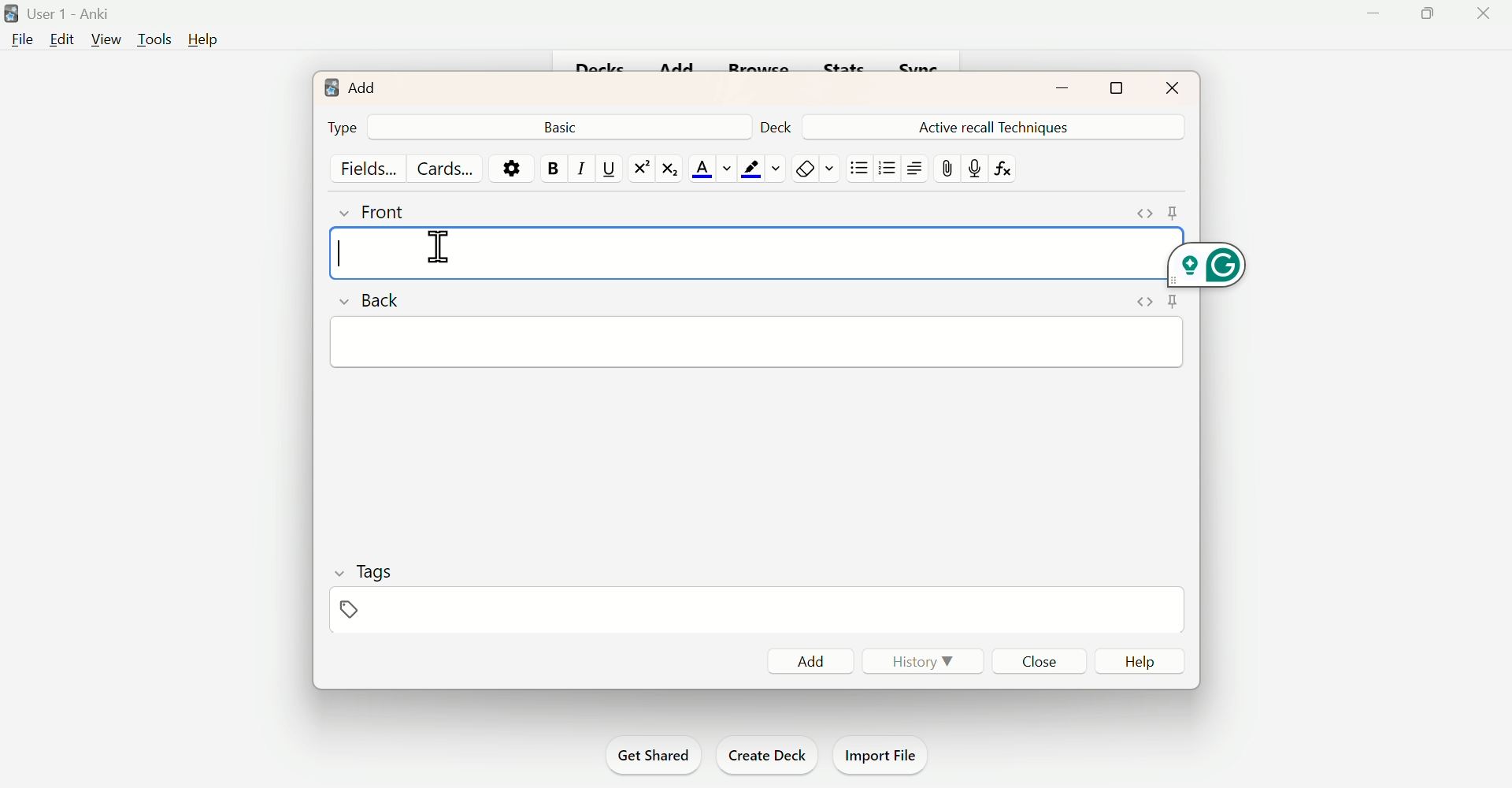  I want to click on Get Shared, so click(648, 754).